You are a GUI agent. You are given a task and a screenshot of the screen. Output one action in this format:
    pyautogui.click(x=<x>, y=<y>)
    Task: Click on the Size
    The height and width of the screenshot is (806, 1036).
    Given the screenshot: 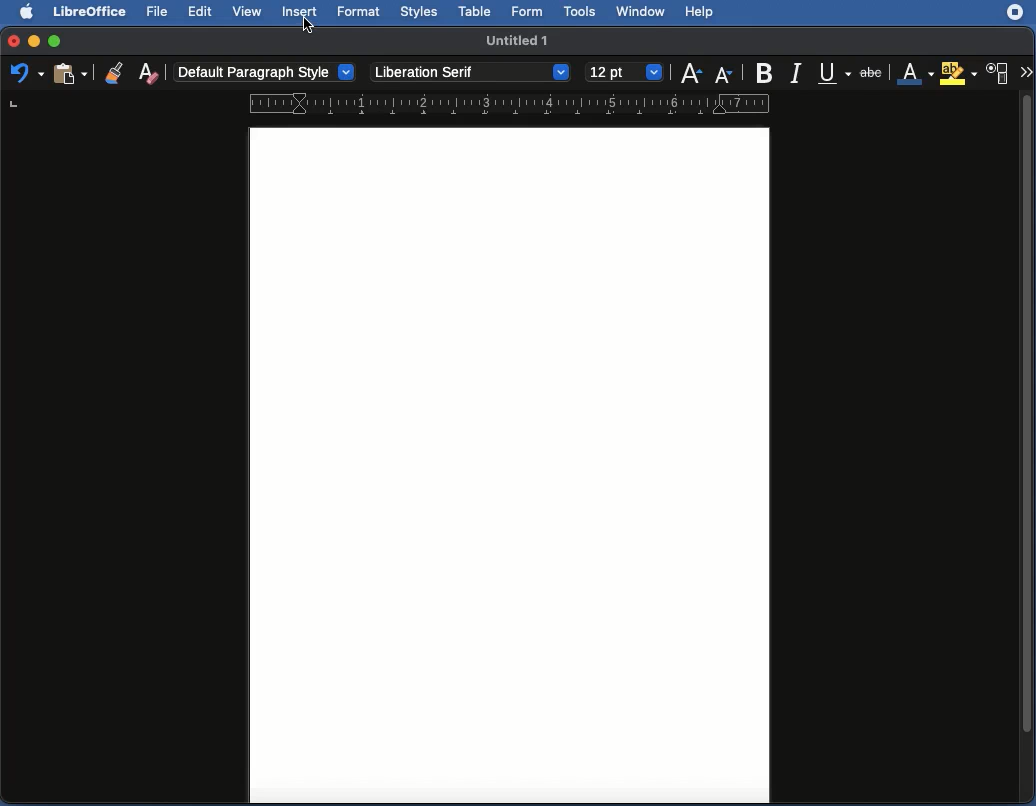 What is the action you would take?
    pyautogui.click(x=626, y=72)
    